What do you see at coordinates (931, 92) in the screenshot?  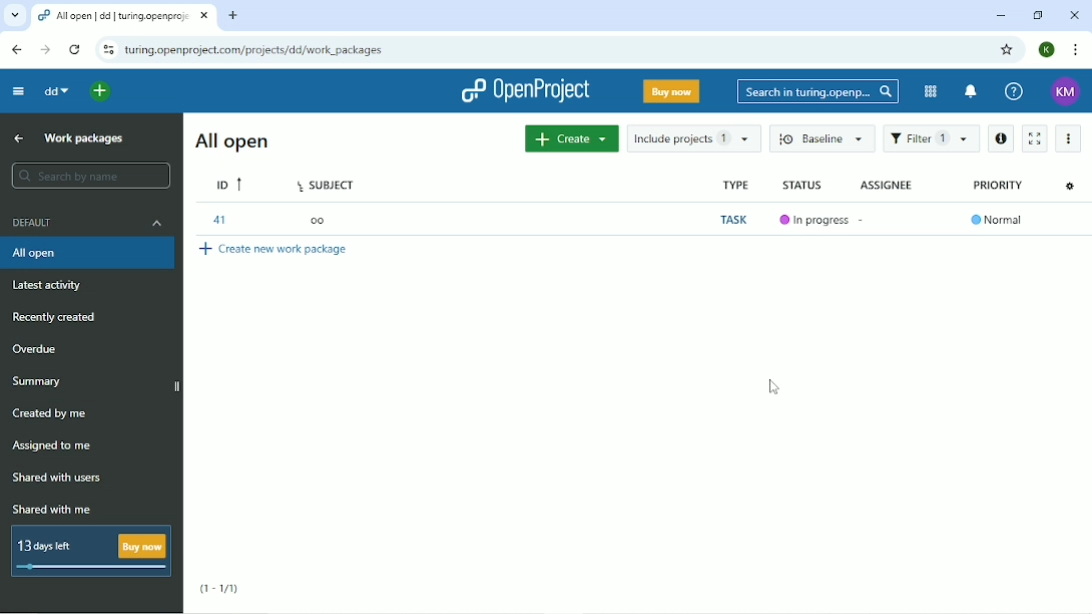 I see `Modules` at bounding box center [931, 92].